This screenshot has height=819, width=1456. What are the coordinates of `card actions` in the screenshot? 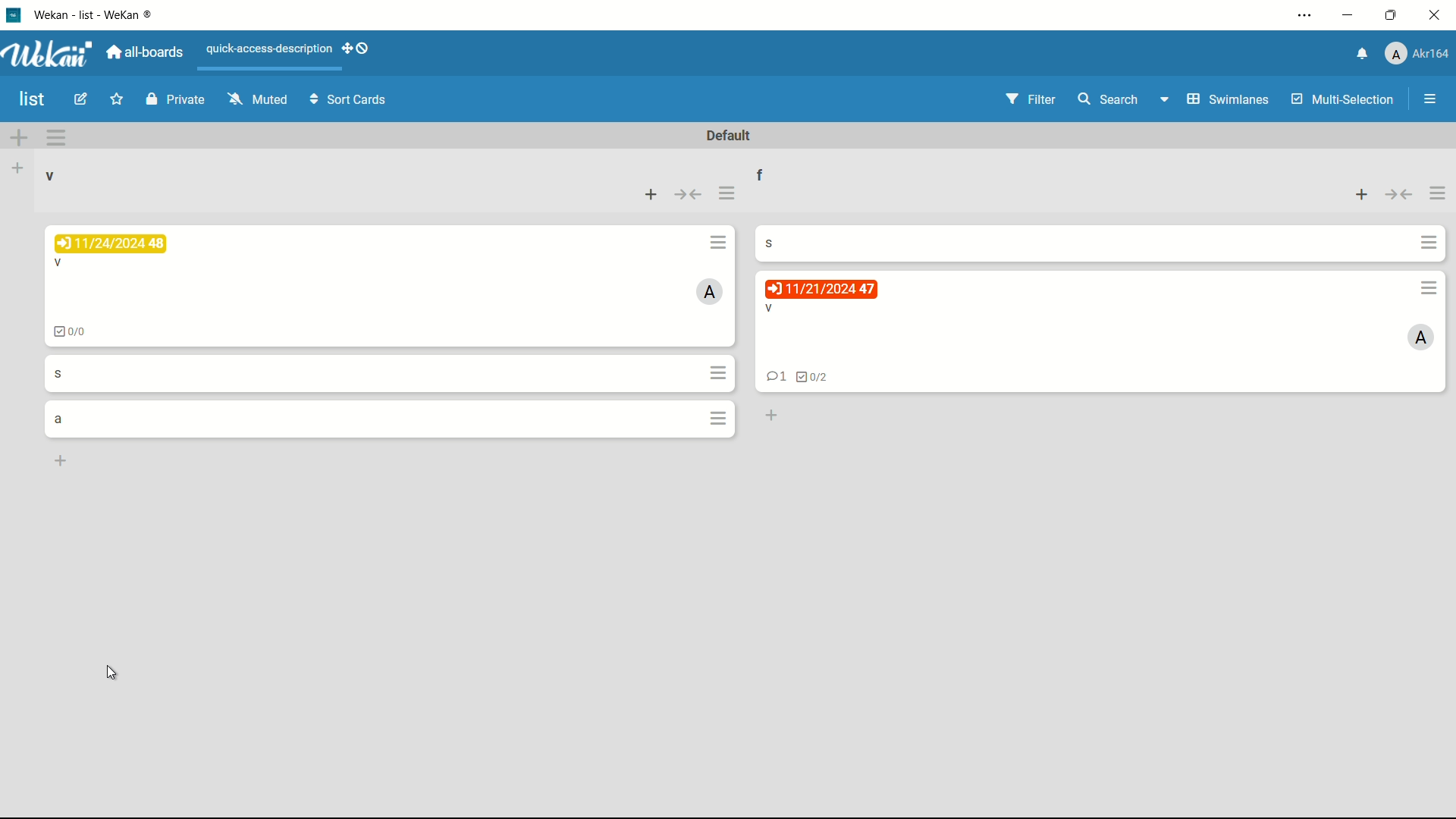 It's located at (1429, 288).